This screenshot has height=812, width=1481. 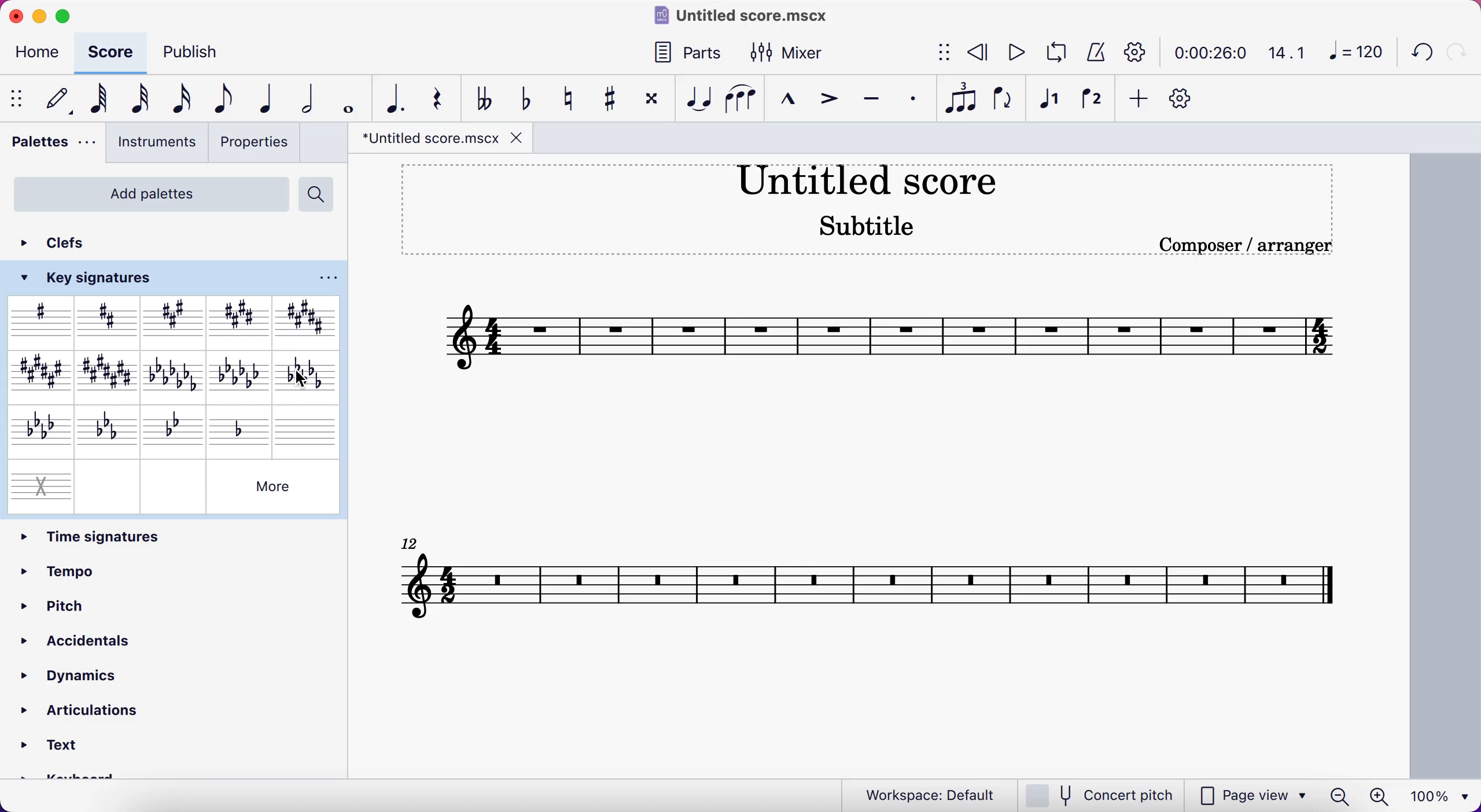 I want to click on key signature, so click(x=96, y=278).